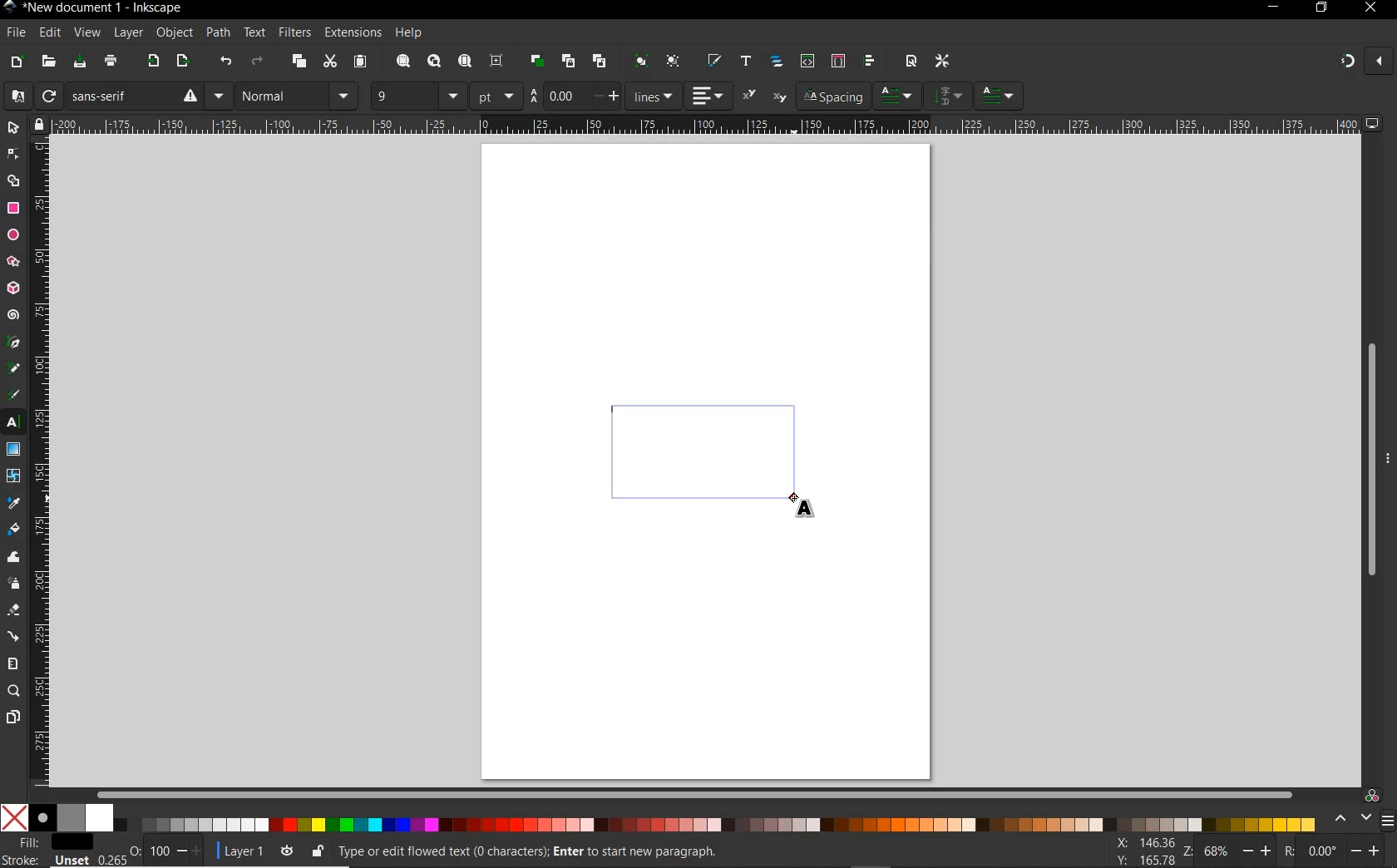 Image resolution: width=1397 pixels, height=868 pixels. What do you see at coordinates (80, 62) in the screenshot?
I see `save` at bounding box center [80, 62].